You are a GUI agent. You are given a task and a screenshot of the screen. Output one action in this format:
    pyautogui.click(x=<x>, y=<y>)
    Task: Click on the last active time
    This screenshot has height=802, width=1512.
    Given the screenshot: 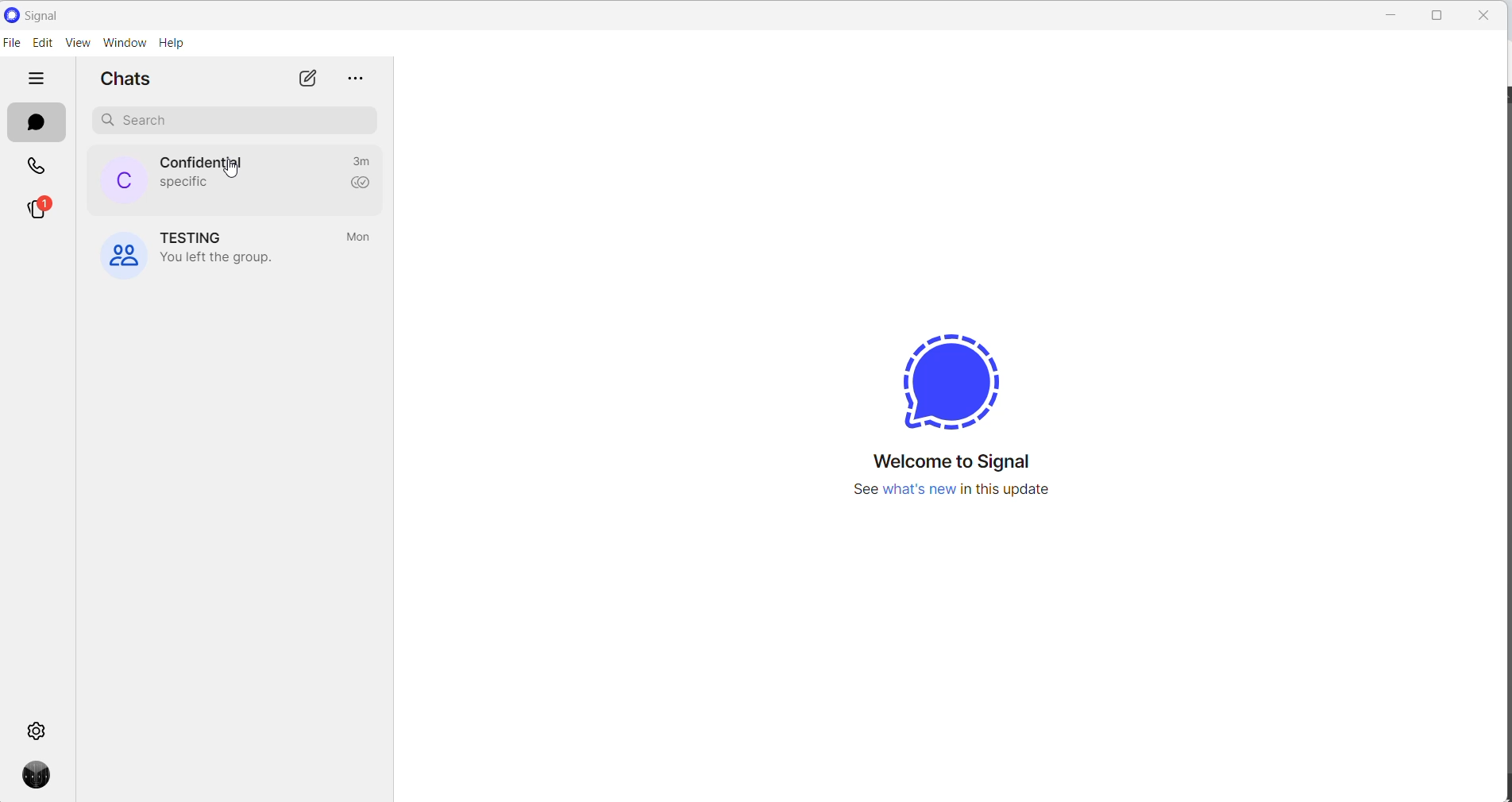 What is the action you would take?
    pyautogui.click(x=362, y=159)
    